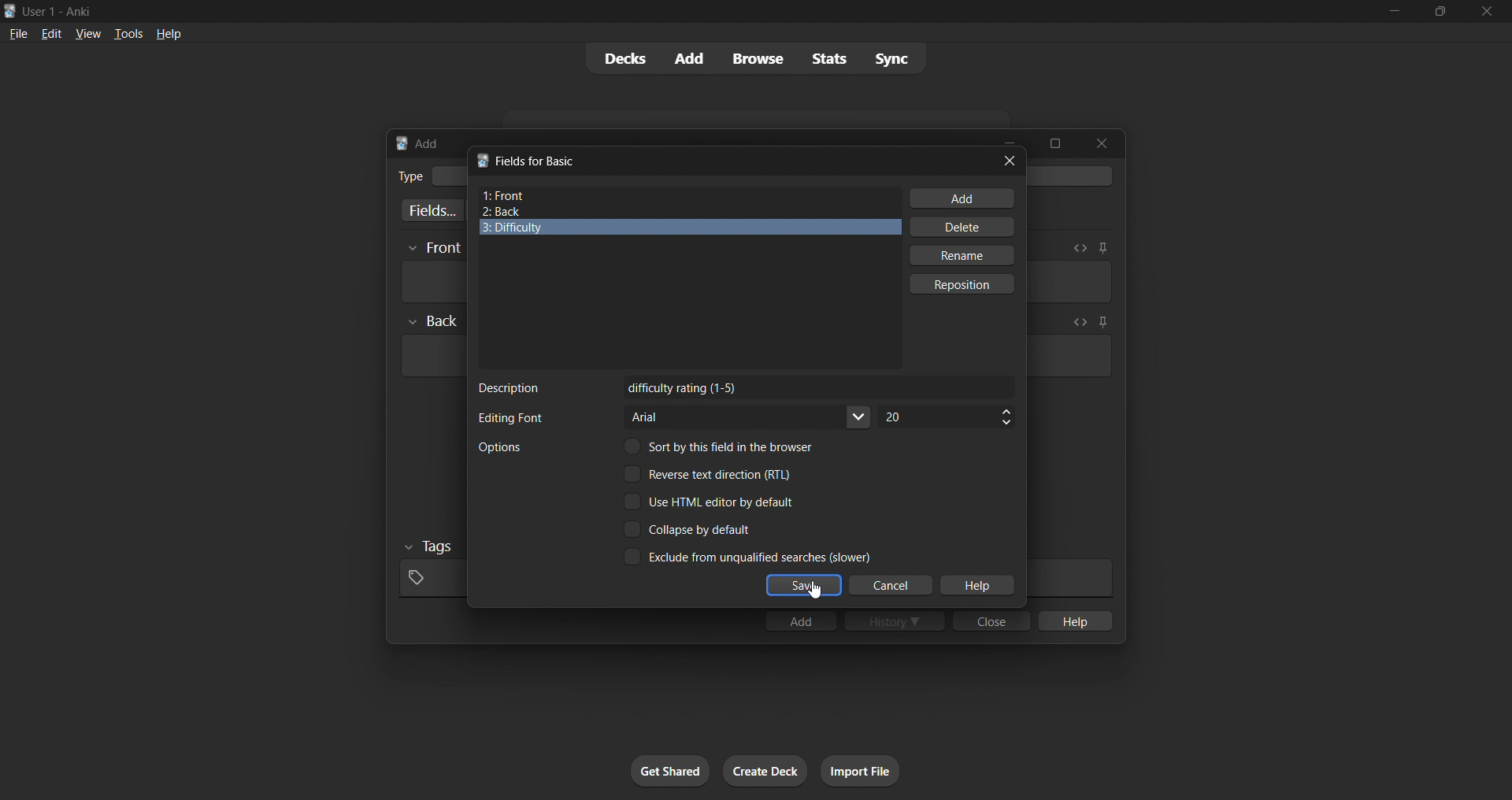 This screenshot has height=800, width=1512. What do you see at coordinates (800, 620) in the screenshot?
I see `add` at bounding box center [800, 620].